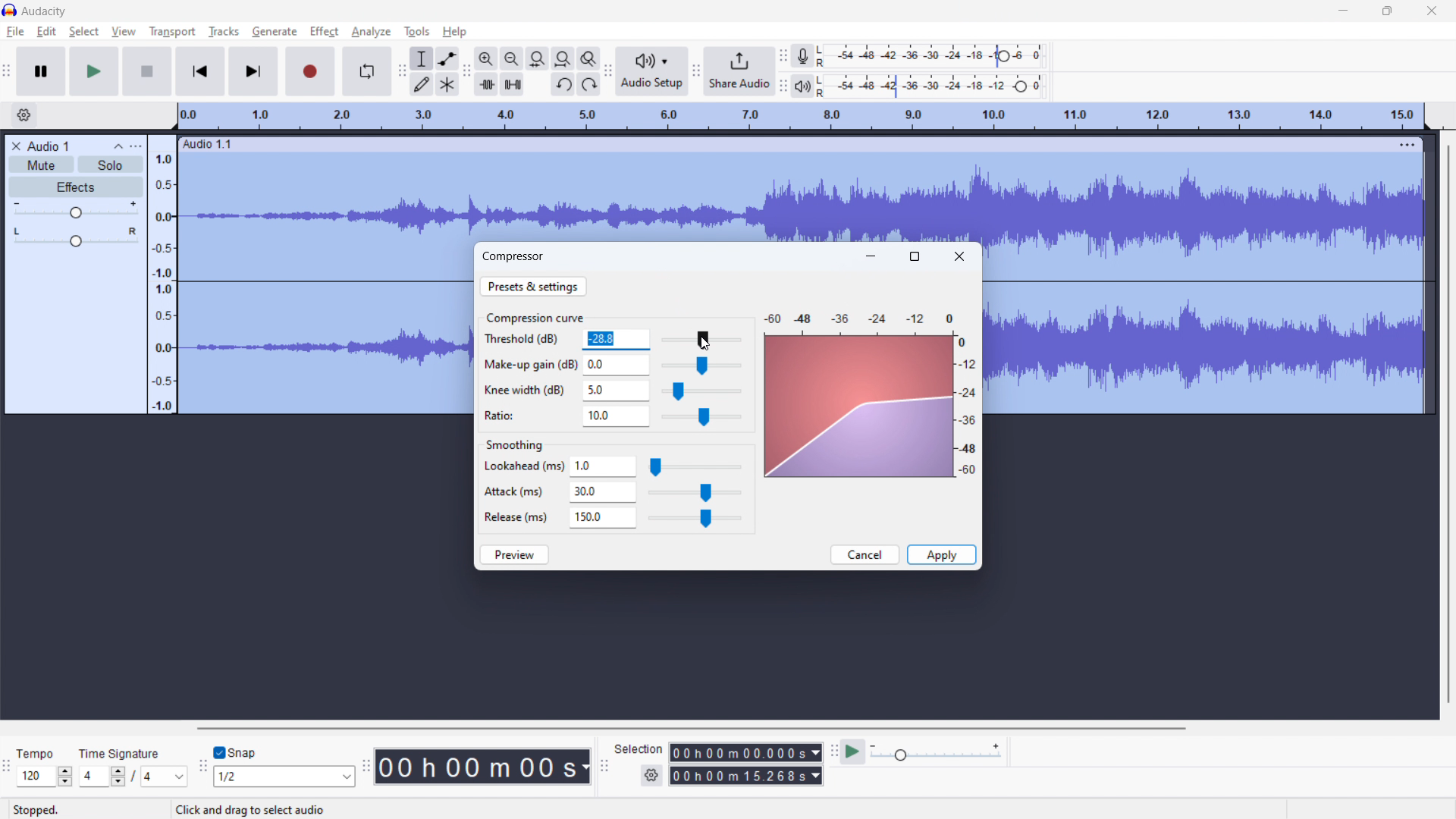 This screenshot has width=1456, height=819. I want to click on play at speed toolbar, so click(833, 752).